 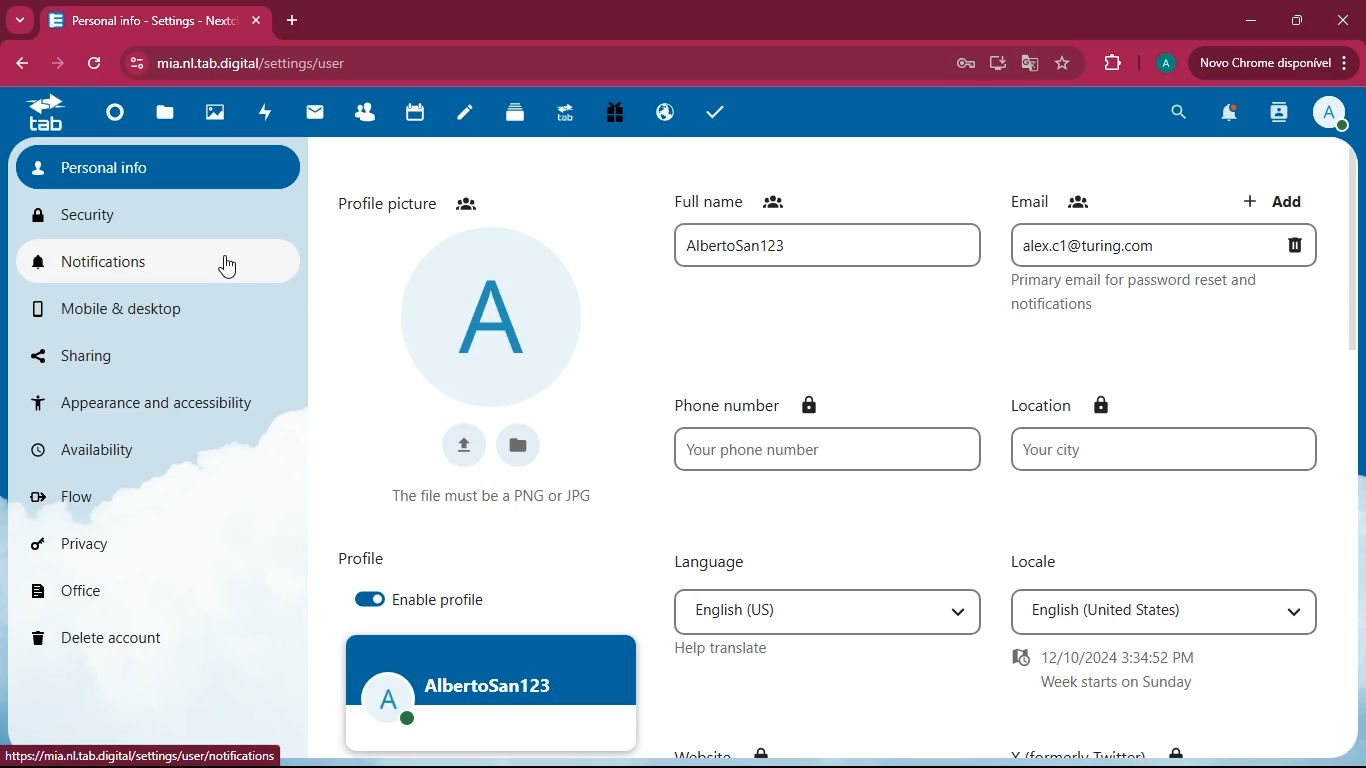 What do you see at coordinates (1276, 199) in the screenshot?
I see `add` at bounding box center [1276, 199].